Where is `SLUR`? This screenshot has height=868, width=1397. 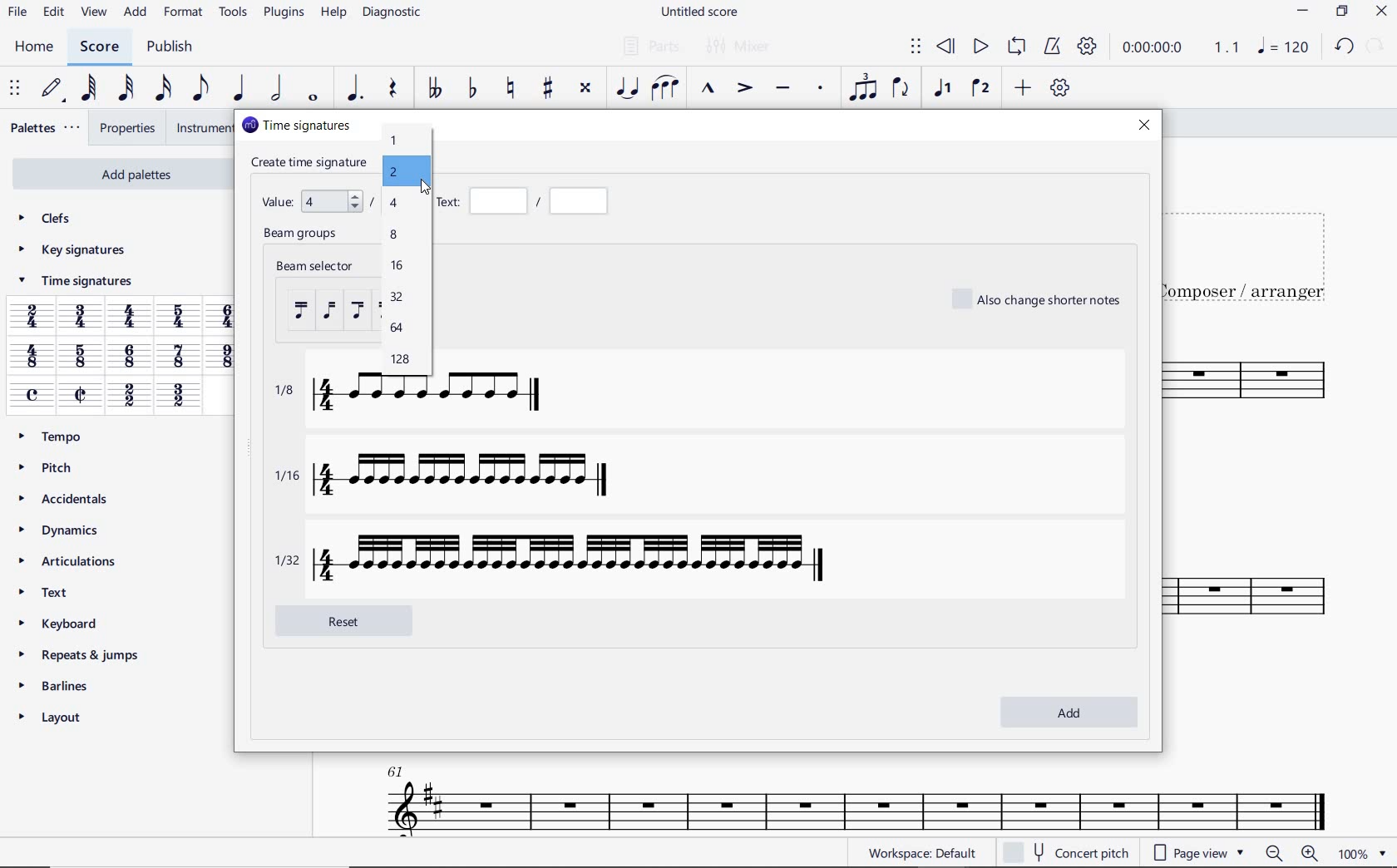 SLUR is located at coordinates (664, 88).